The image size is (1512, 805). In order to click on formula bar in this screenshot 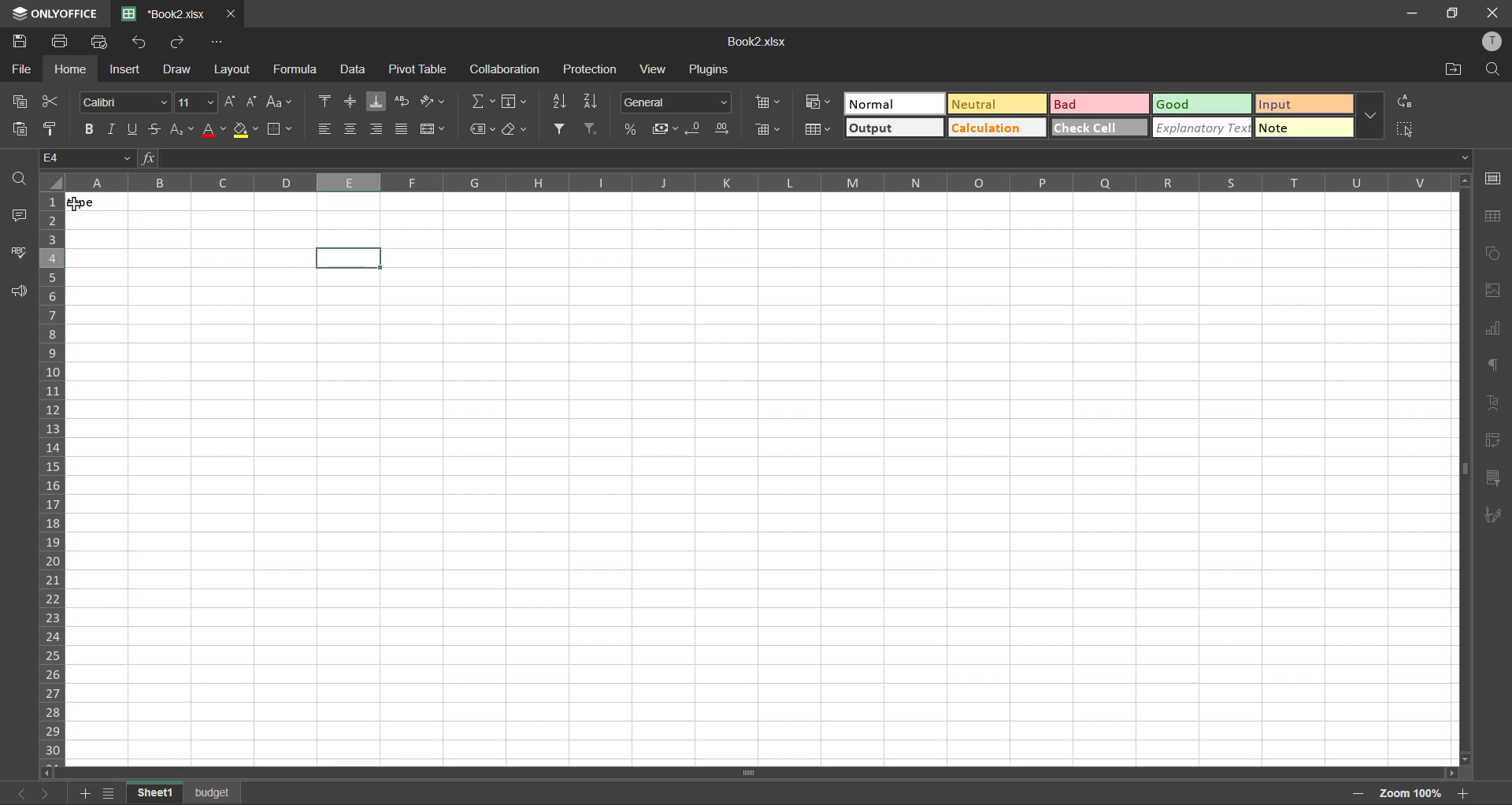, I will do `click(807, 156)`.